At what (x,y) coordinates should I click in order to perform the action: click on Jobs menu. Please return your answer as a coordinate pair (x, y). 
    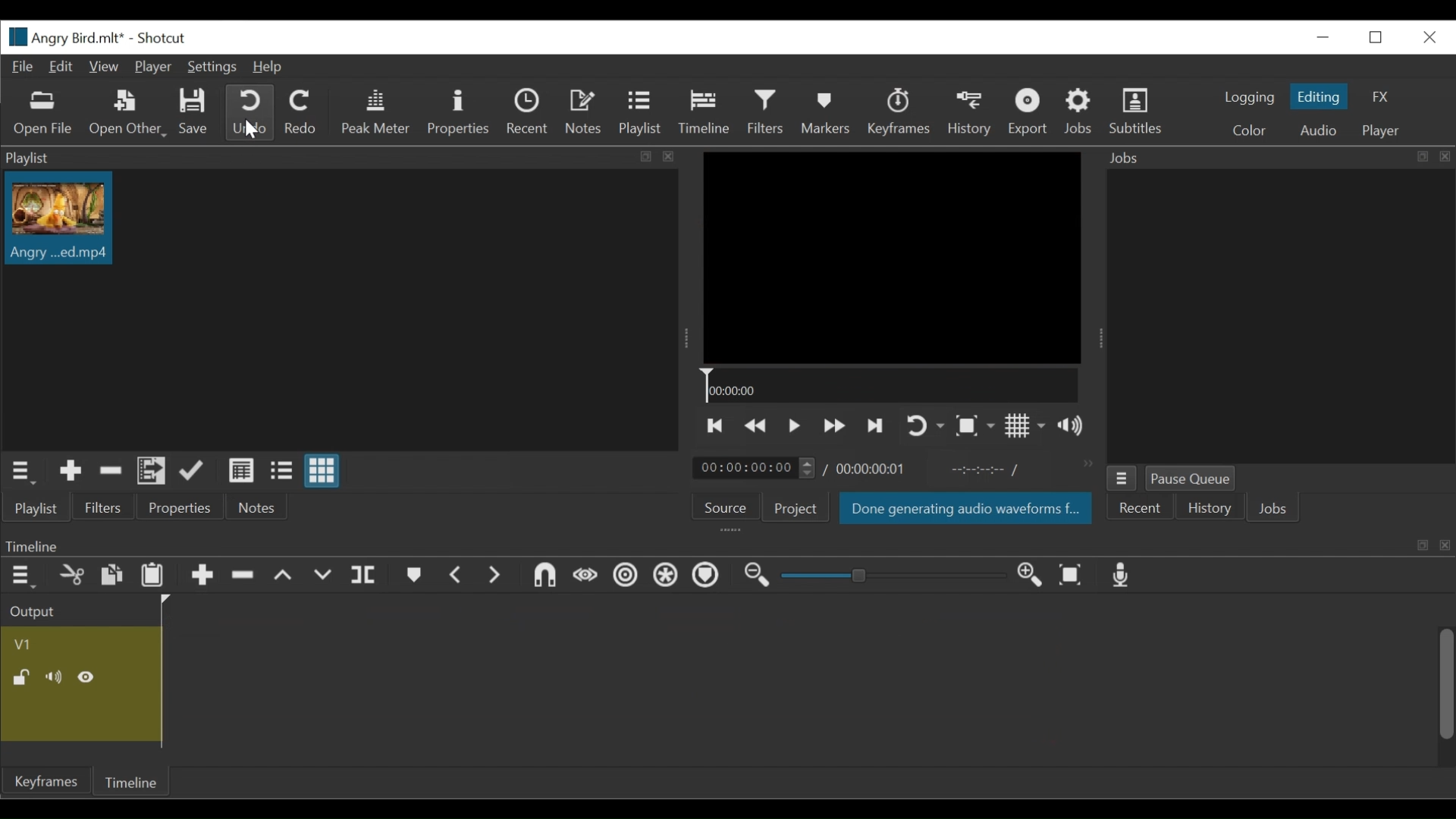
    Looking at the image, I should click on (1122, 479).